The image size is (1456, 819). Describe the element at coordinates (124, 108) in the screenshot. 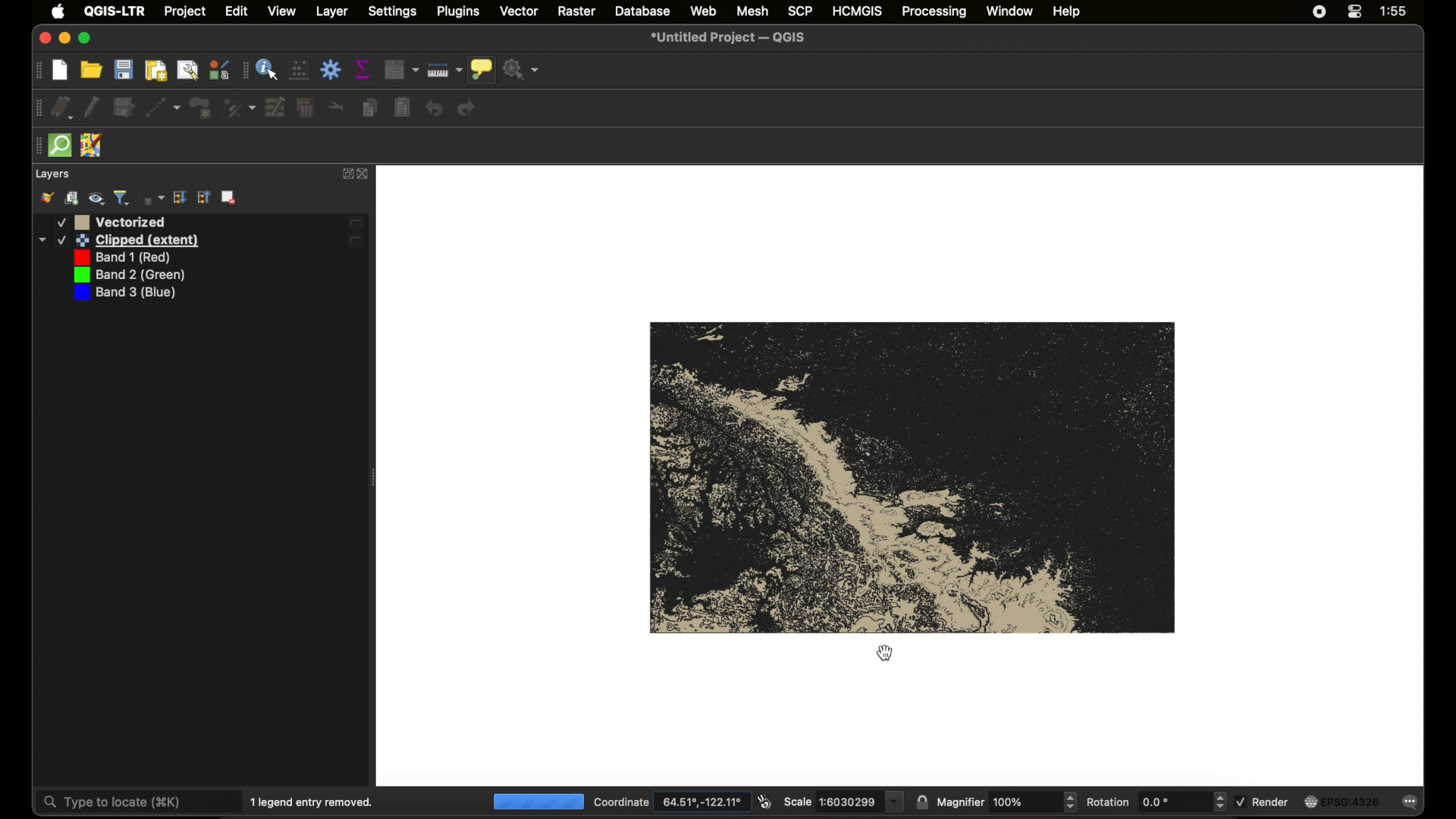

I see `save edits` at that location.